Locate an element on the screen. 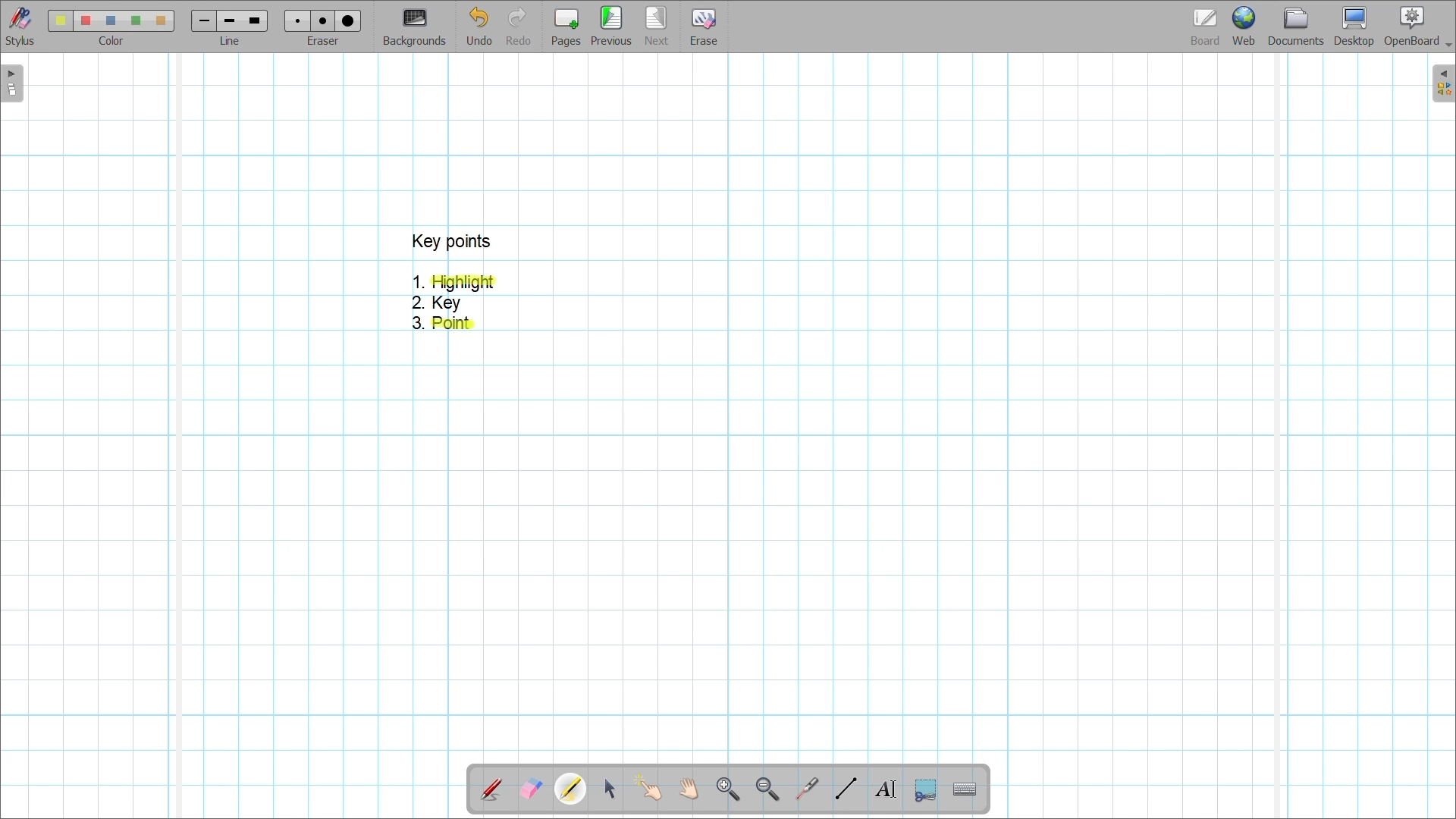 The height and width of the screenshot is (819, 1456). color is located at coordinates (108, 41).